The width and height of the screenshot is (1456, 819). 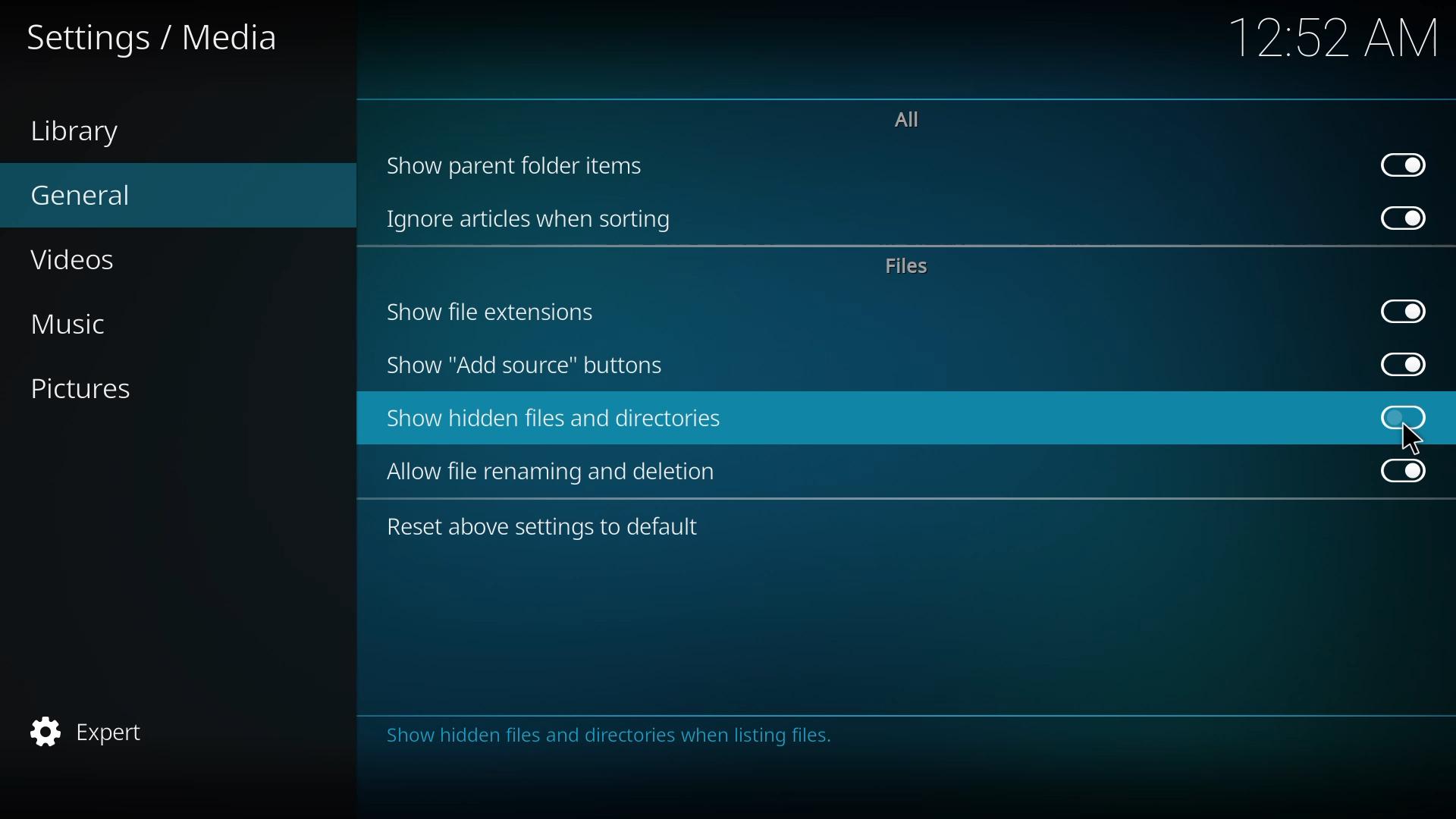 I want to click on cursor, so click(x=1416, y=439).